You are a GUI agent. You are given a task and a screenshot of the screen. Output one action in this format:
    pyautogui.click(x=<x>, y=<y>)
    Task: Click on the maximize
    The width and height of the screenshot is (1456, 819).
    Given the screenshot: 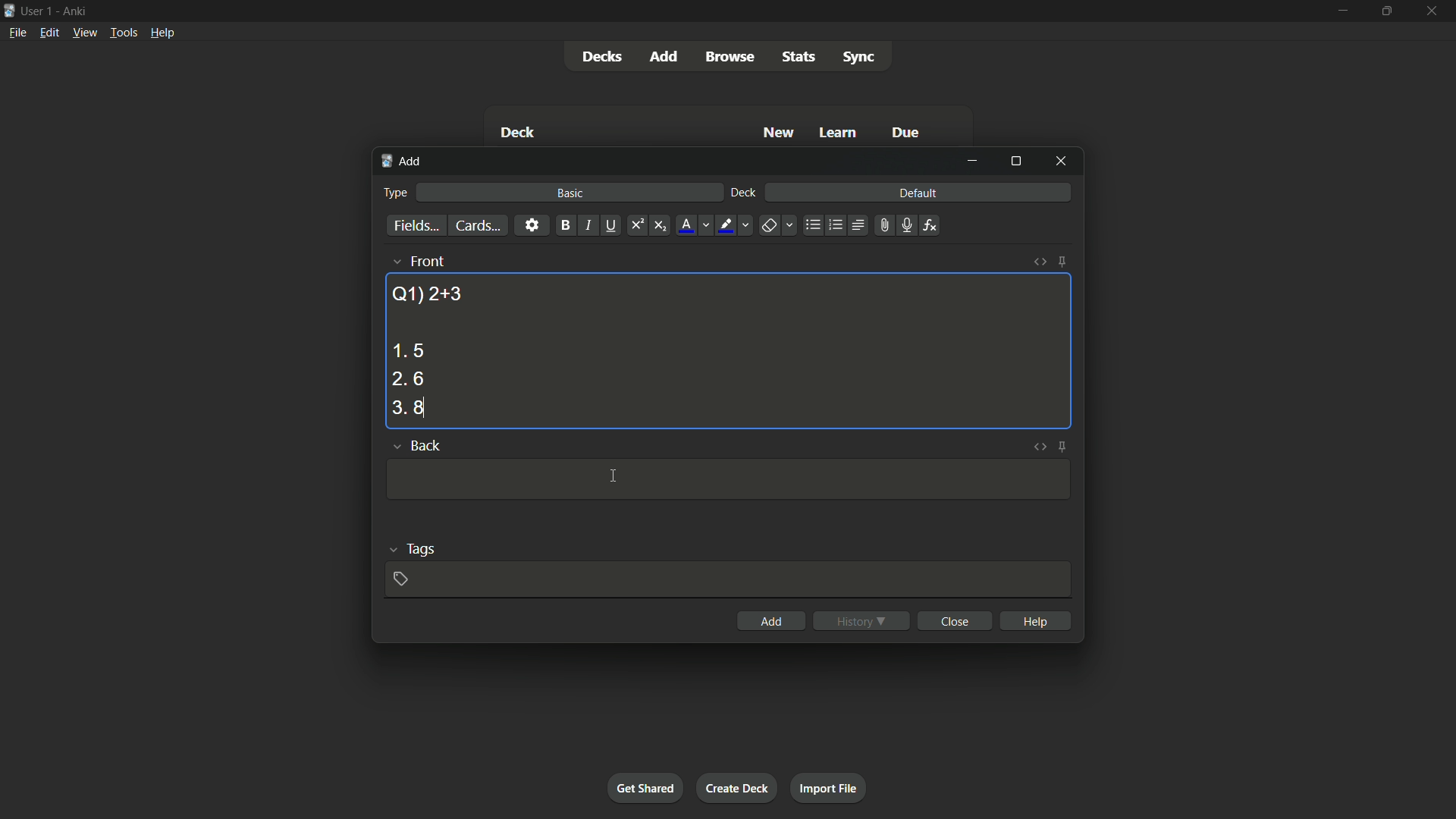 What is the action you would take?
    pyautogui.click(x=1385, y=11)
    